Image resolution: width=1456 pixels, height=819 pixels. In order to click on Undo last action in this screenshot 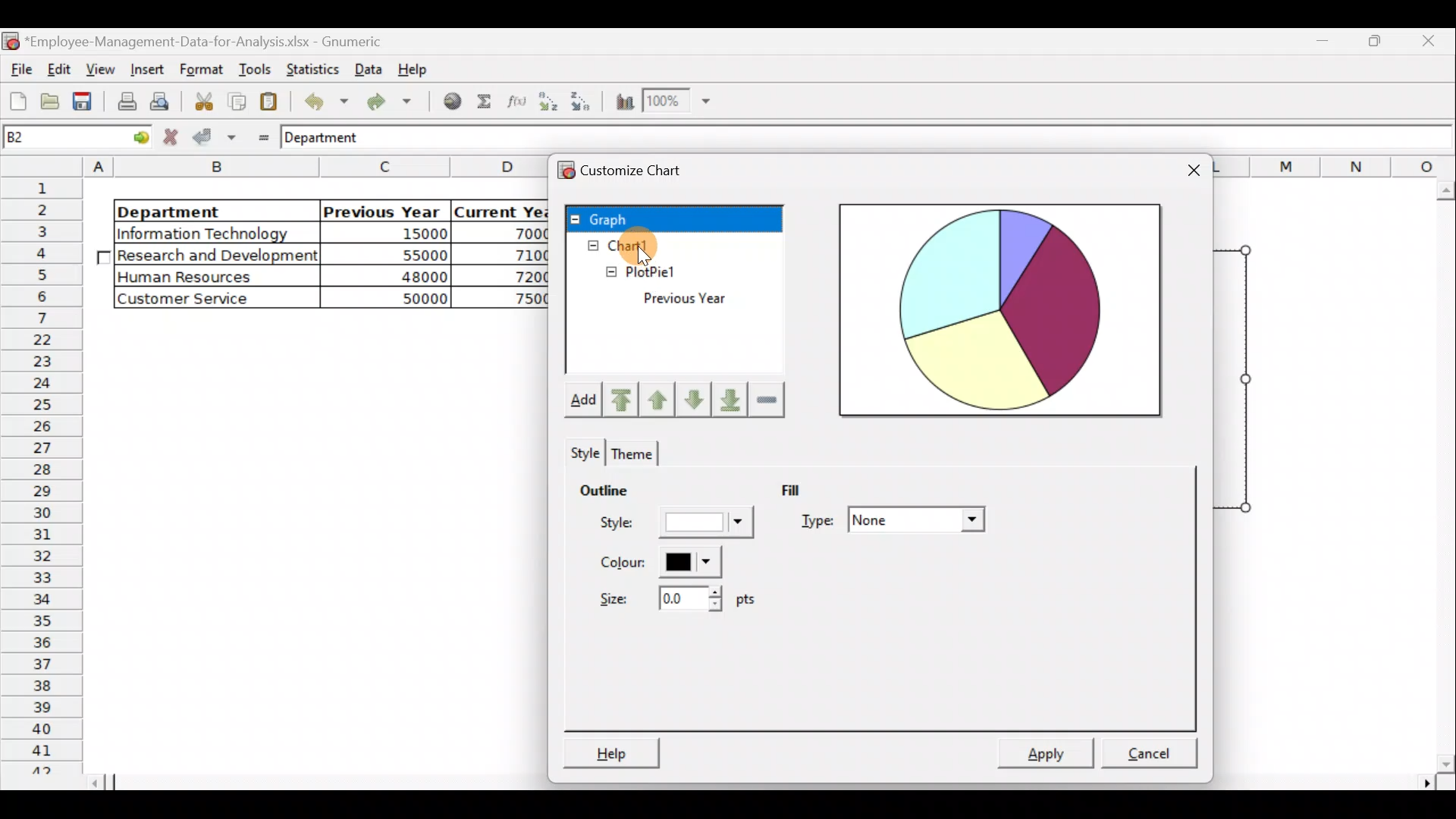, I will do `click(324, 101)`.